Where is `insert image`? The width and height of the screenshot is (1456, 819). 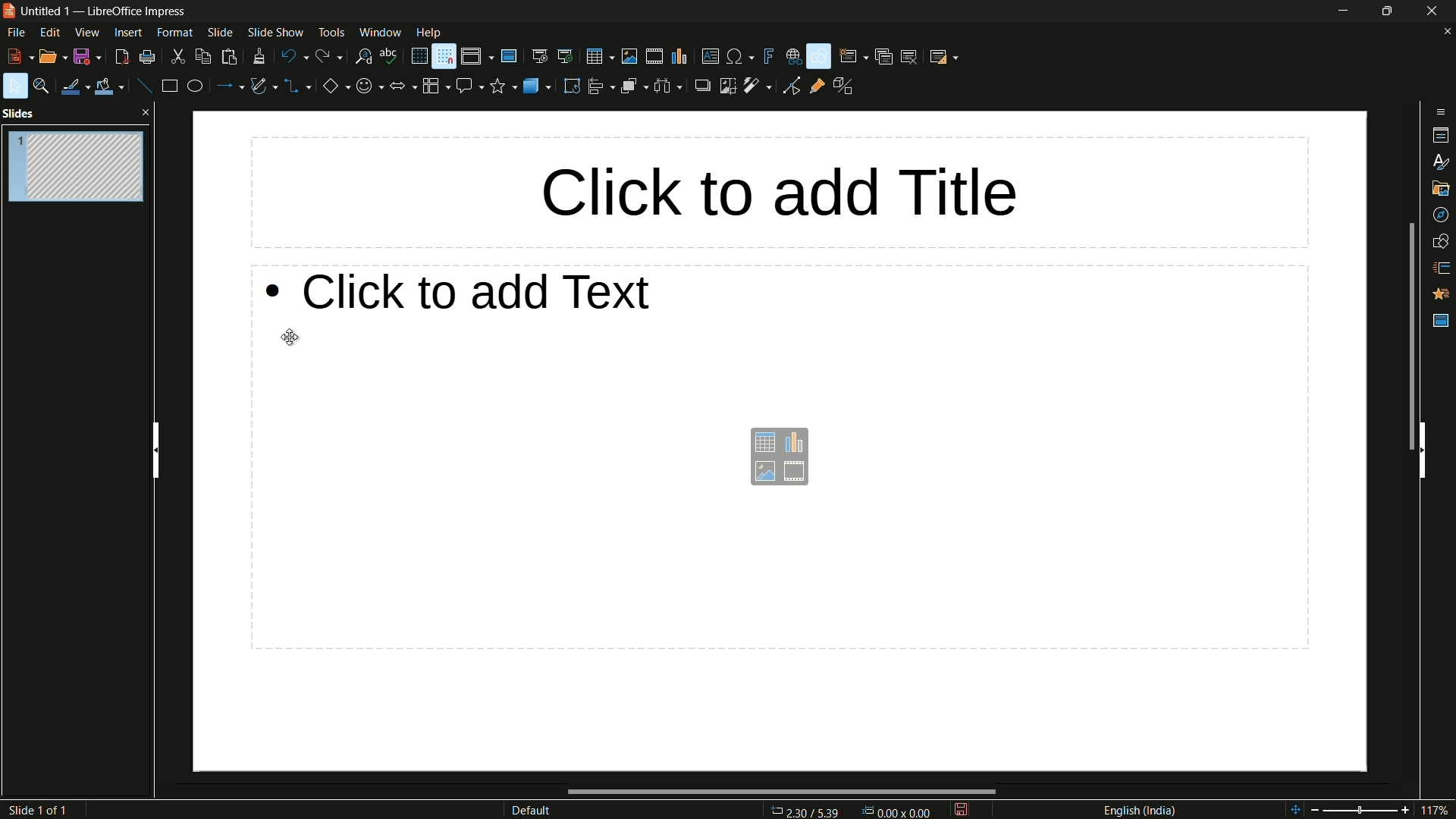
insert image is located at coordinates (630, 55).